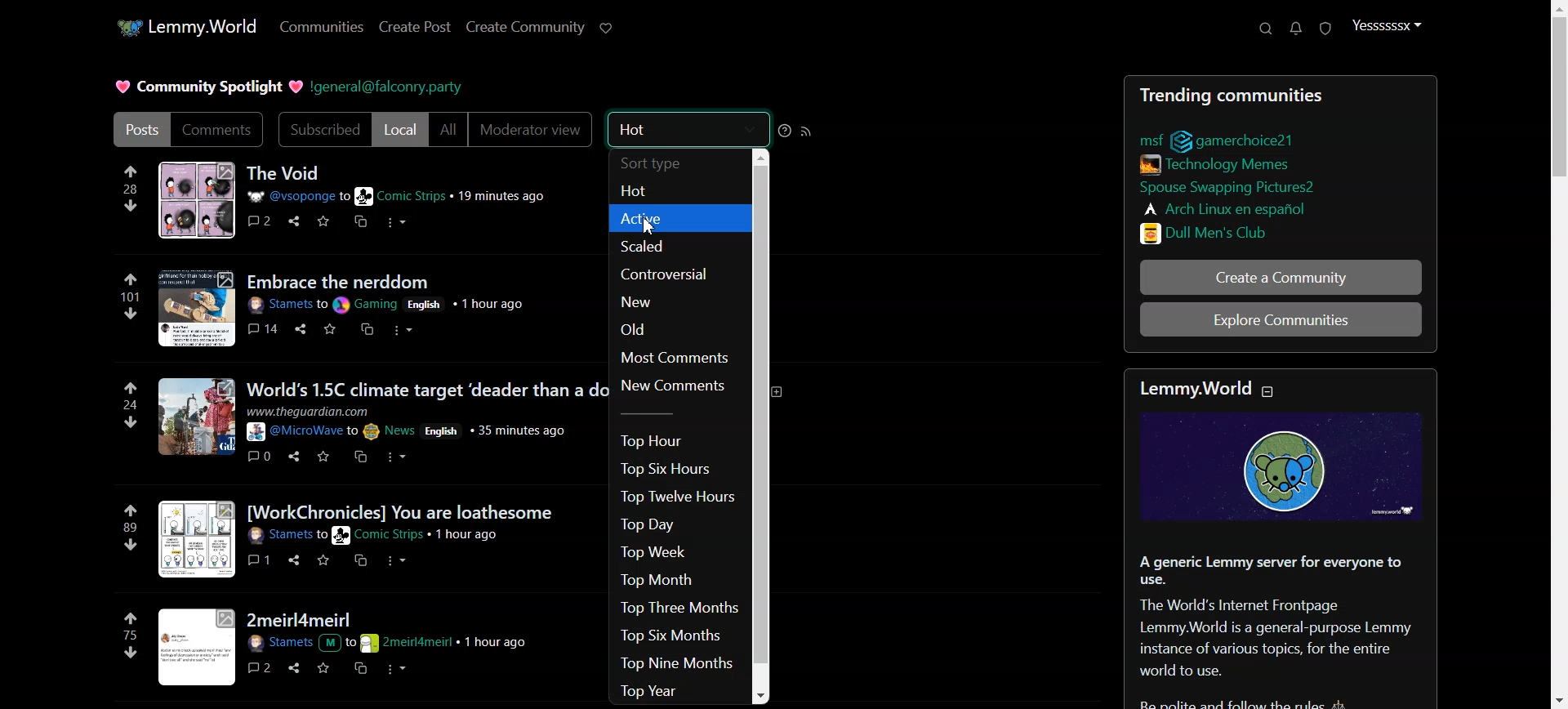 Image resolution: width=1568 pixels, height=709 pixels. I want to click on upvote, so click(130, 390).